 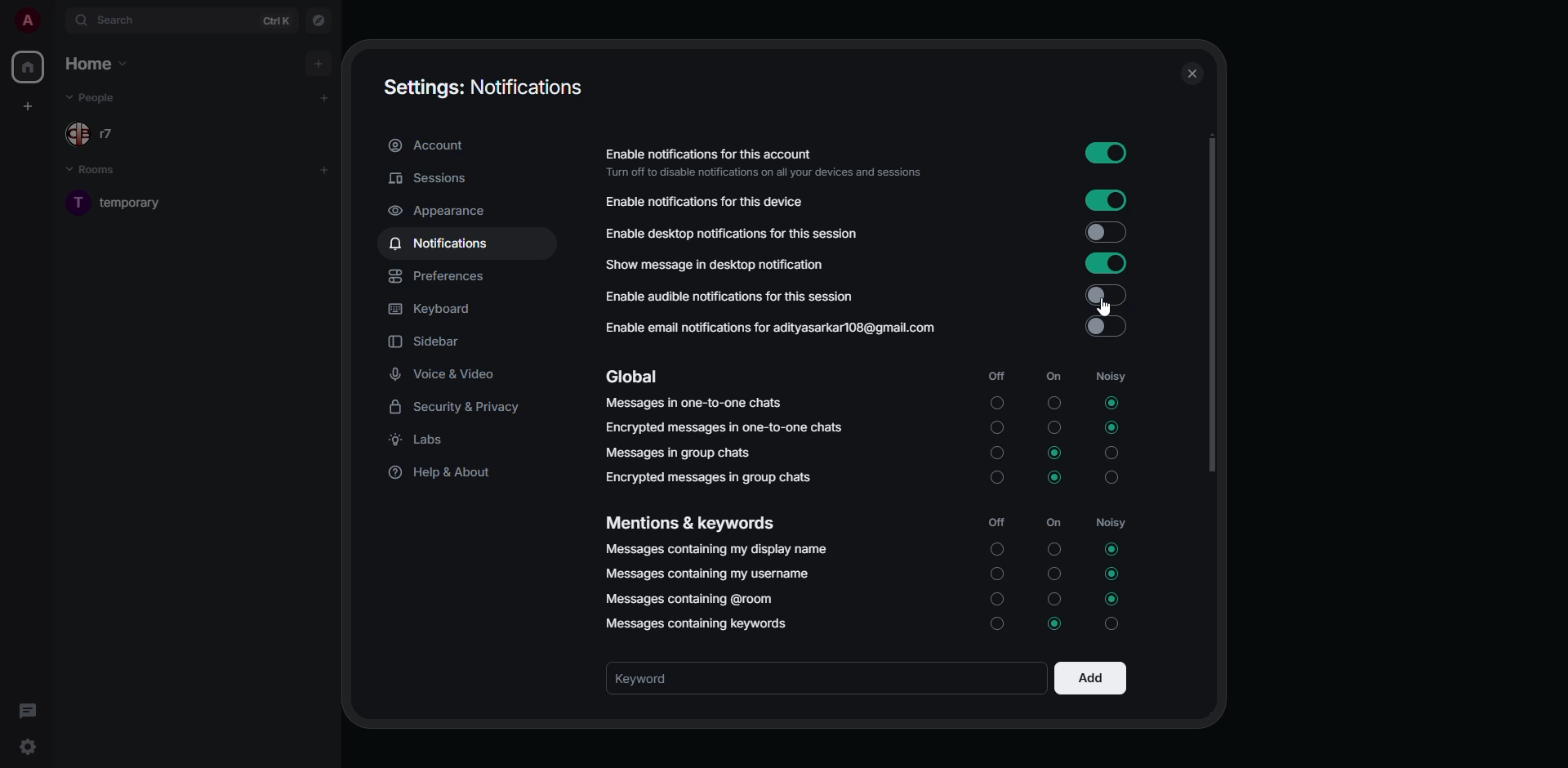 I want to click on encrypted messages in one on one chats, so click(x=725, y=428).